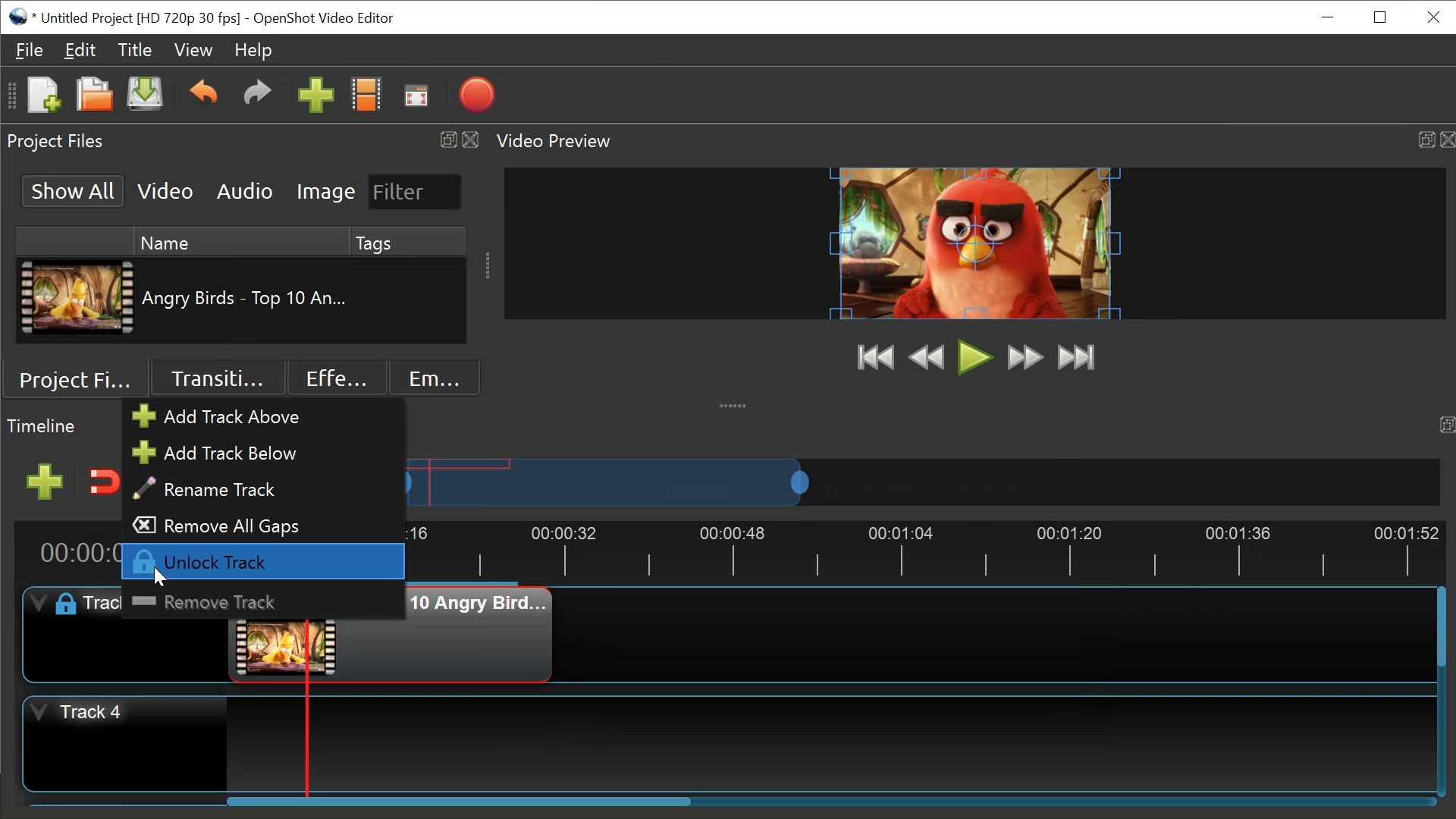  Describe the element at coordinates (42, 424) in the screenshot. I see `timeline` at that location.